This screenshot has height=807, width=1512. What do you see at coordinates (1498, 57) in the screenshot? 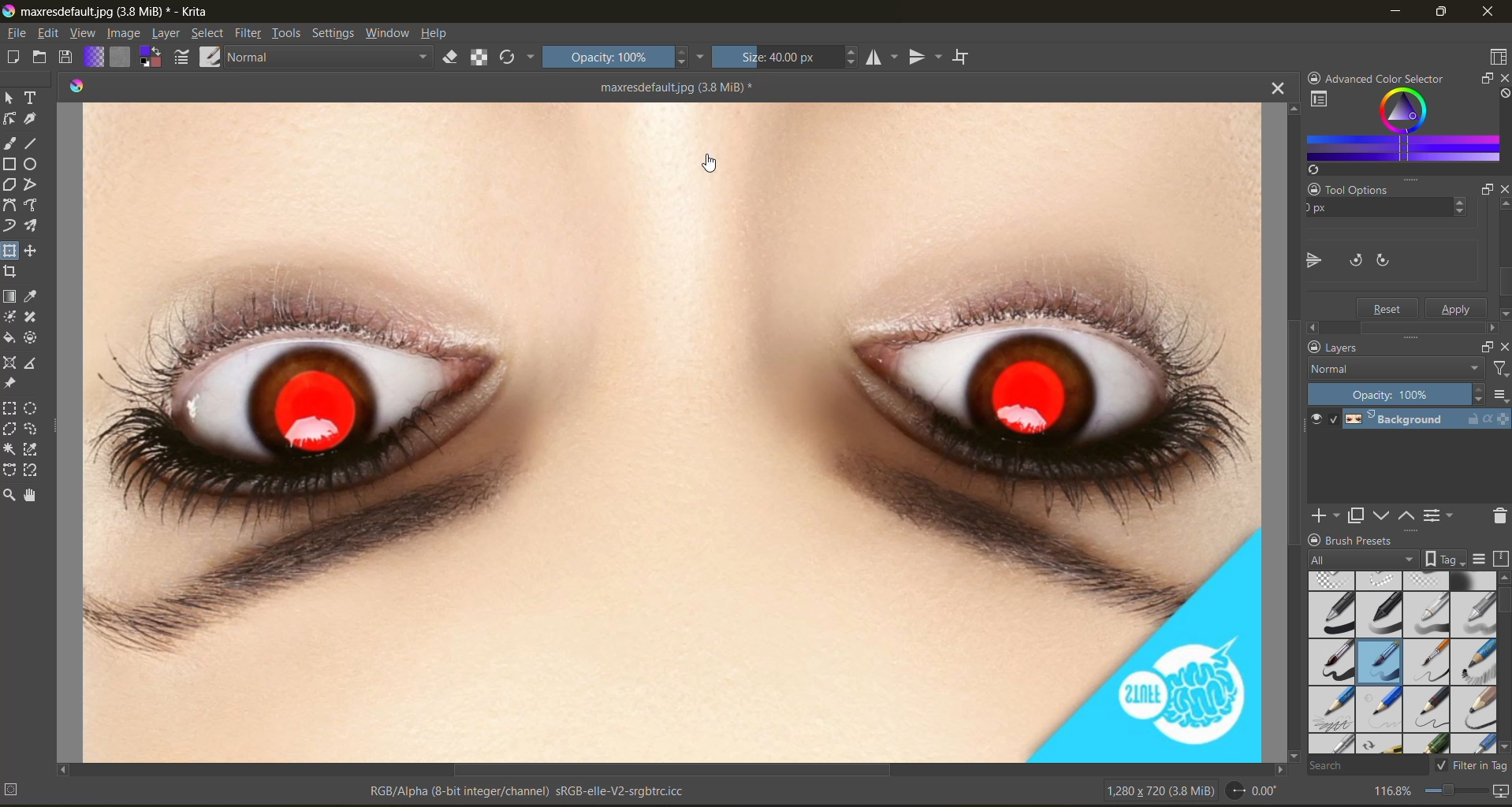
I see `choose workspace` at bounding box center [1498, 57].